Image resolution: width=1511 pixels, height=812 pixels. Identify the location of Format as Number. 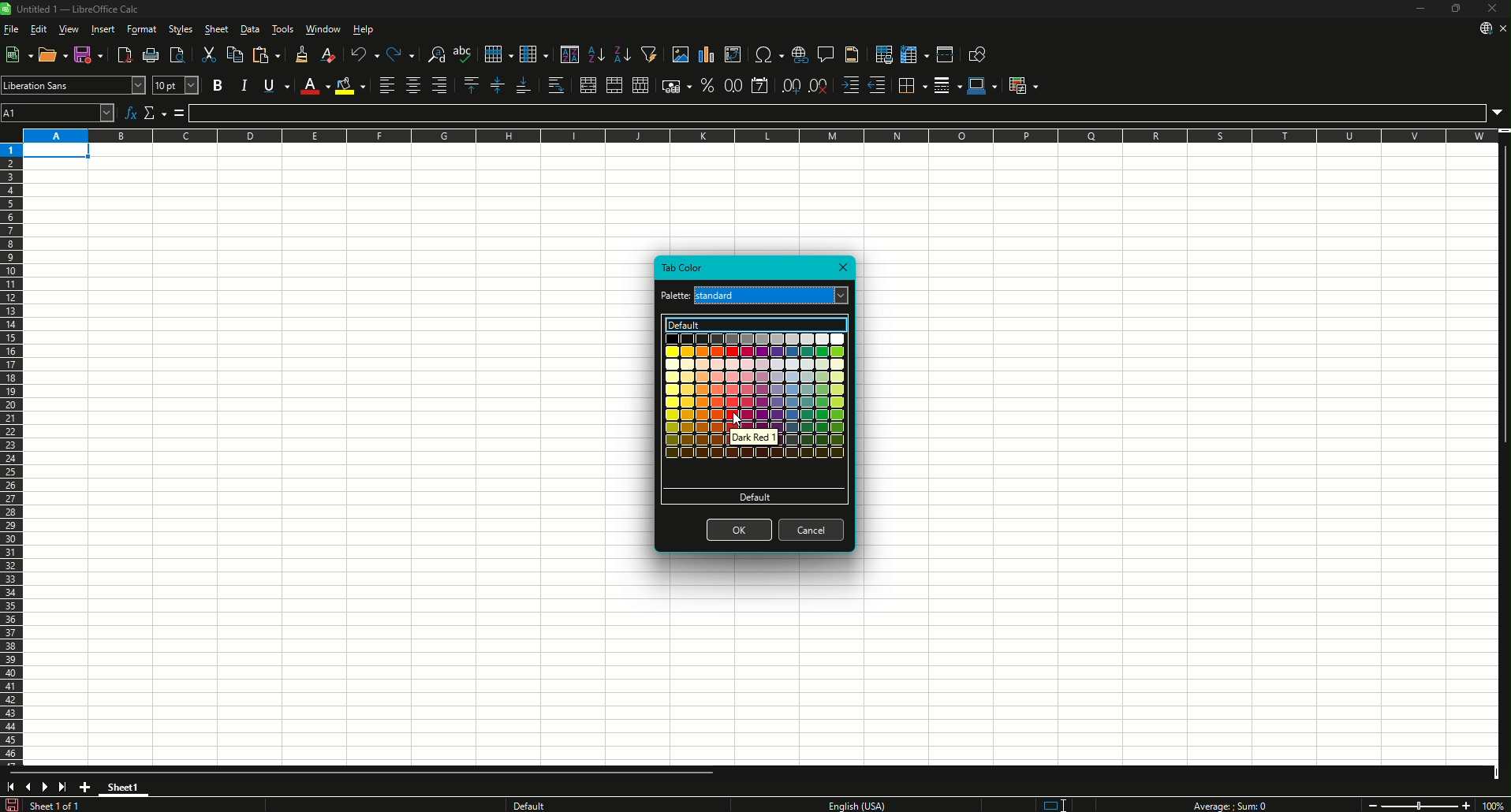
(733, 85).